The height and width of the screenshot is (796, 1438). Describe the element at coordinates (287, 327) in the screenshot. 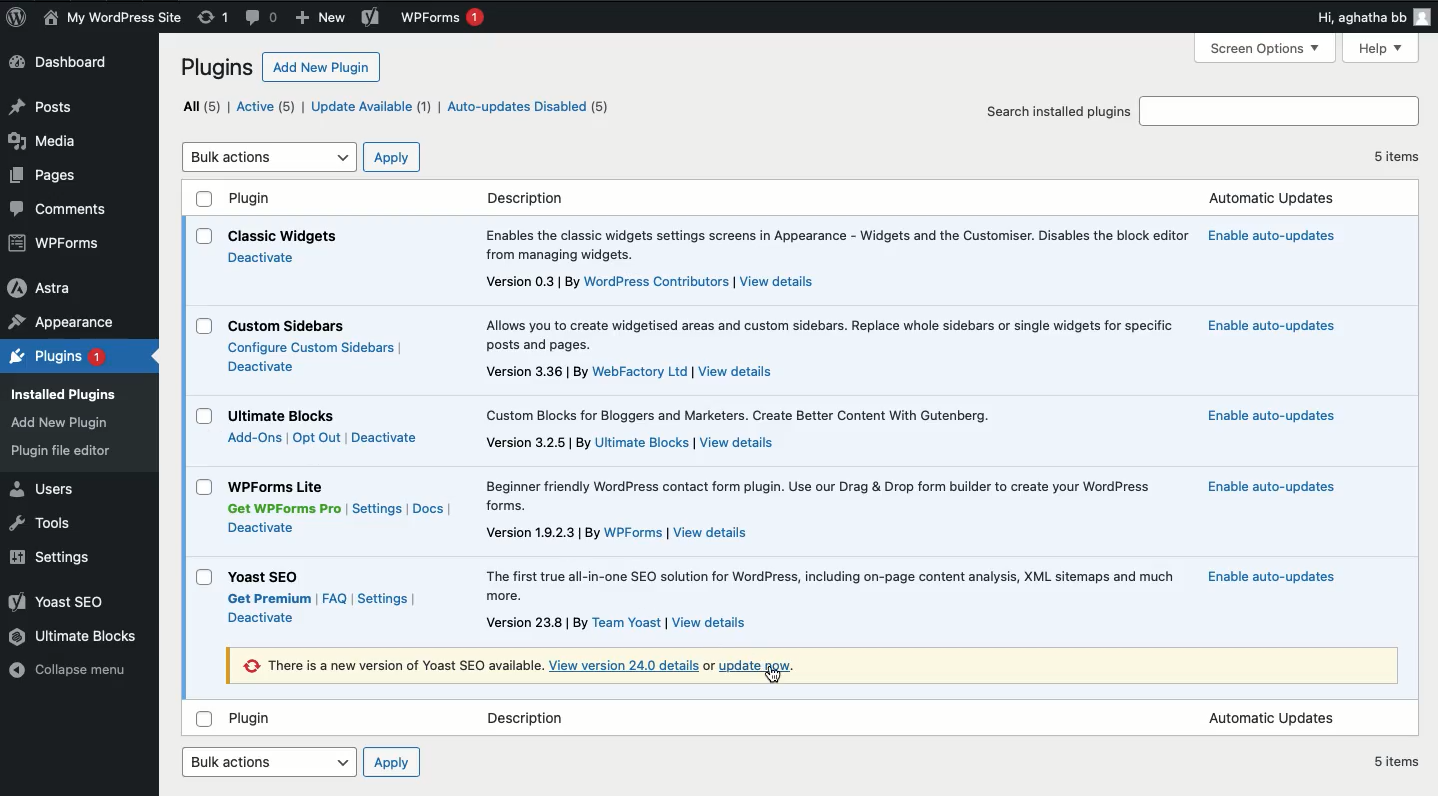

I see `Plugin` at that location.